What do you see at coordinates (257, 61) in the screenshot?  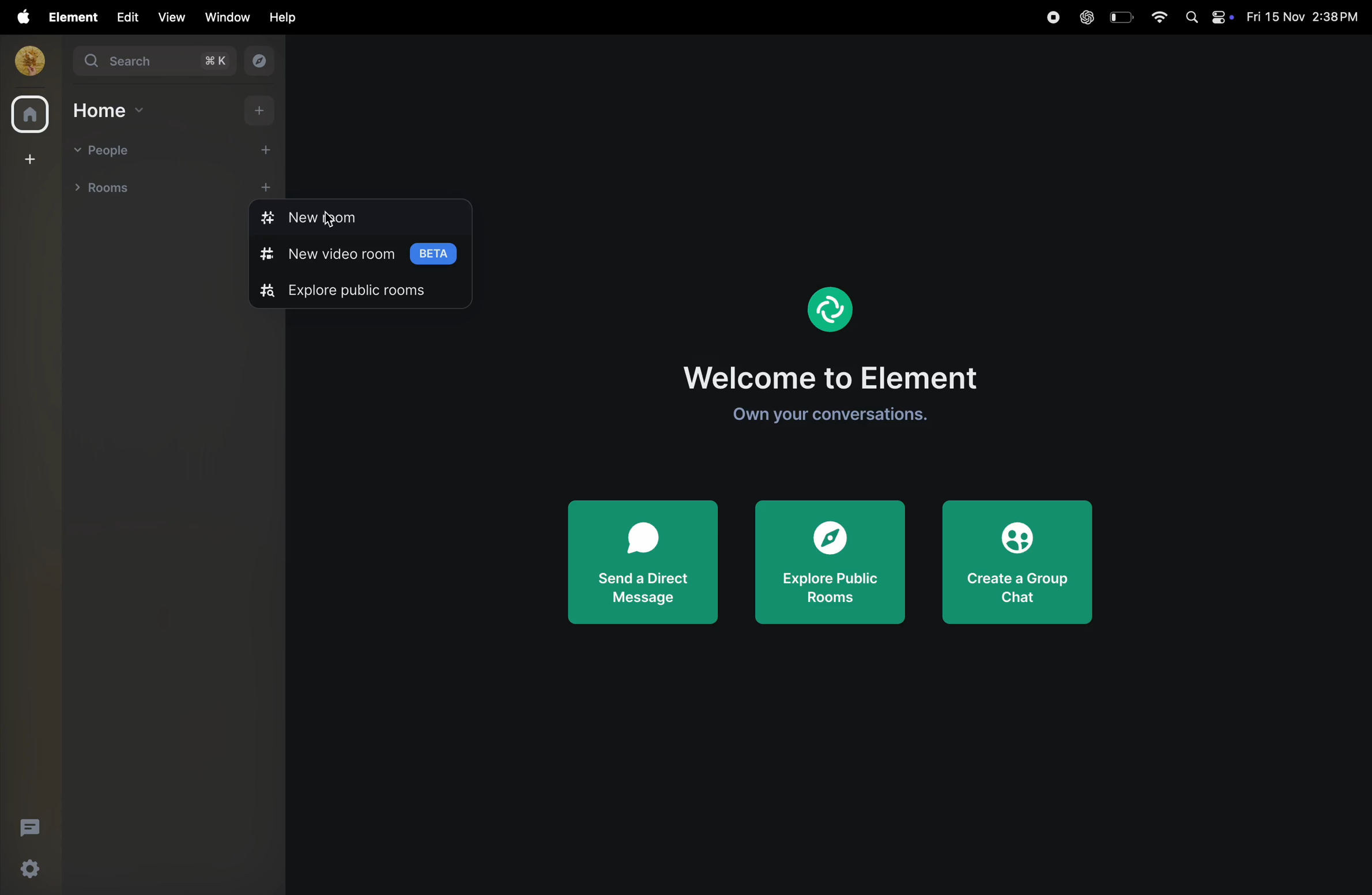 I see `explore` at bounding box center [257, 61].